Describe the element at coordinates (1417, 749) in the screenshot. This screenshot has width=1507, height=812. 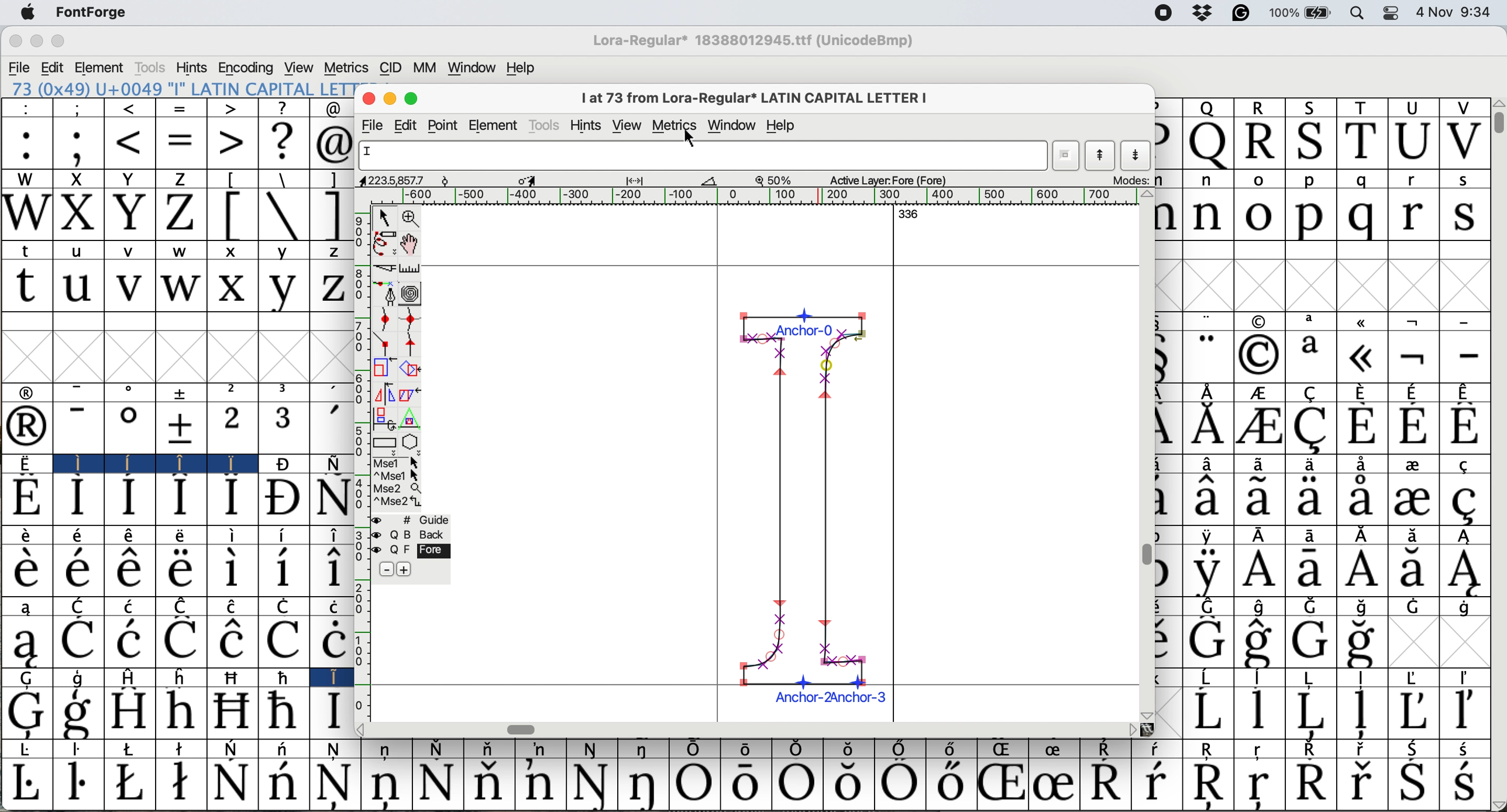
I see `Symbol` at that location.